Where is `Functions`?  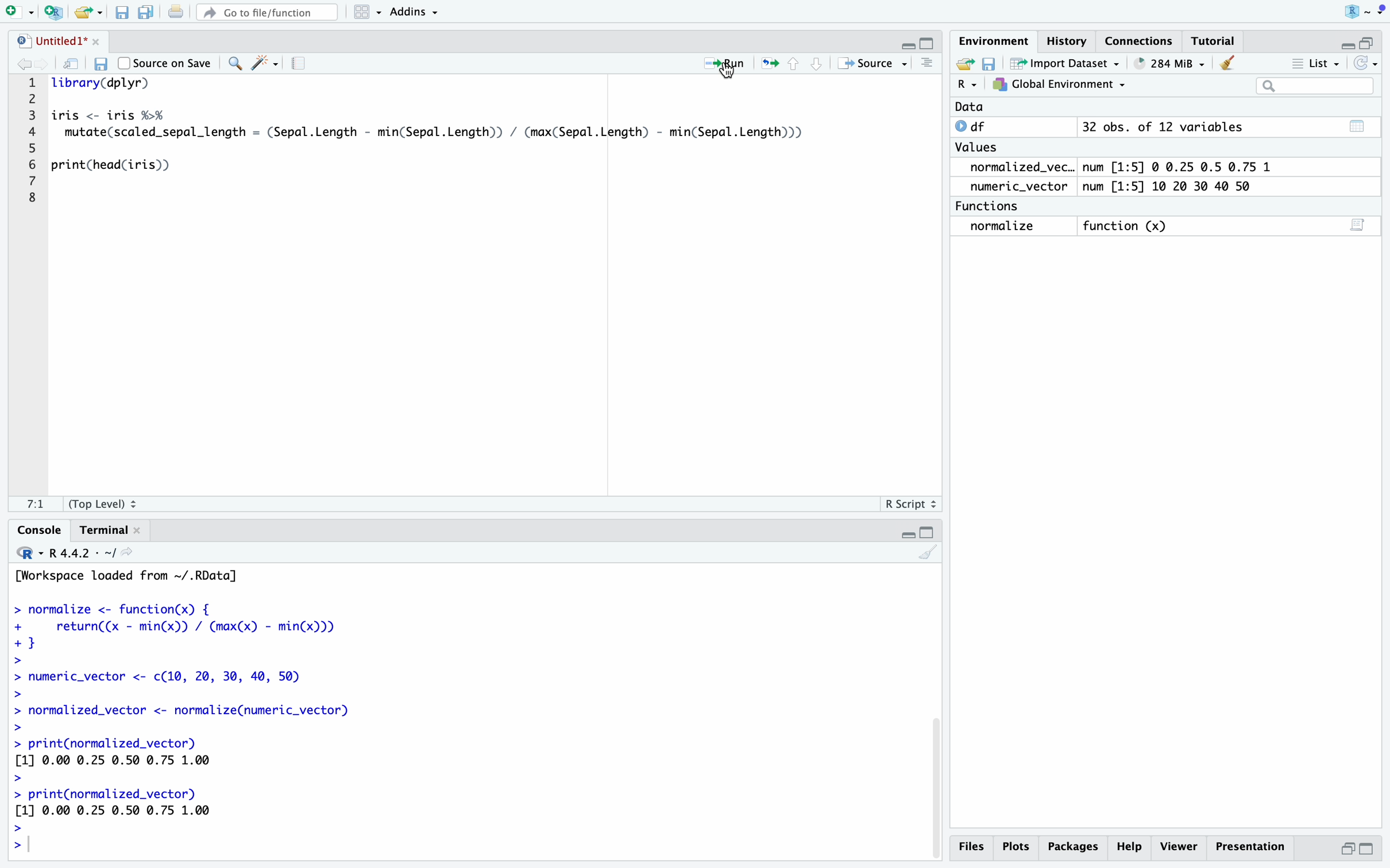 Functions is located at coordinates (990, 206).